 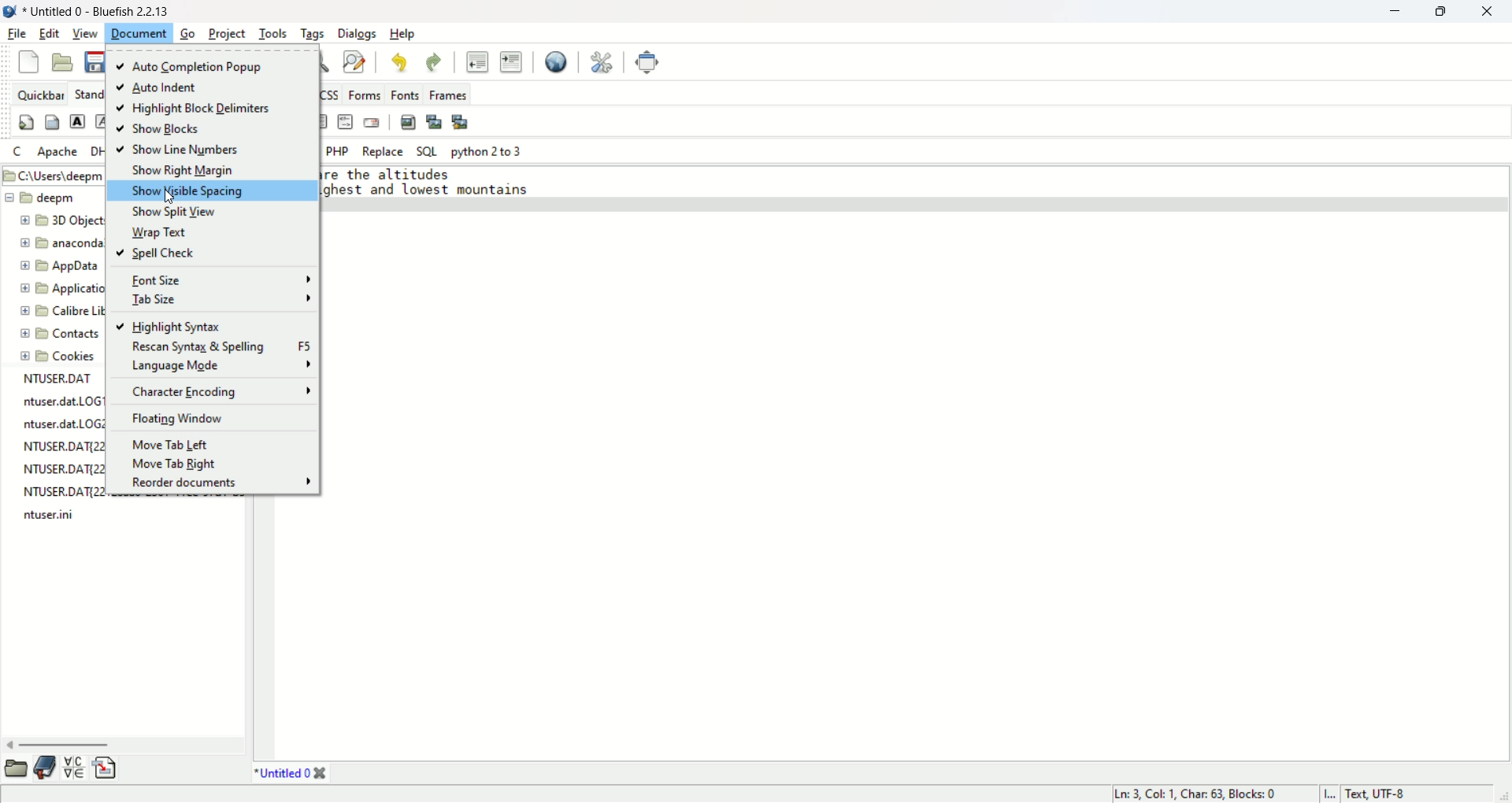 What do you see at coordinates (168, 327) in the screenshot?
I see `highlight syntax` at bounding box center [168, 327].